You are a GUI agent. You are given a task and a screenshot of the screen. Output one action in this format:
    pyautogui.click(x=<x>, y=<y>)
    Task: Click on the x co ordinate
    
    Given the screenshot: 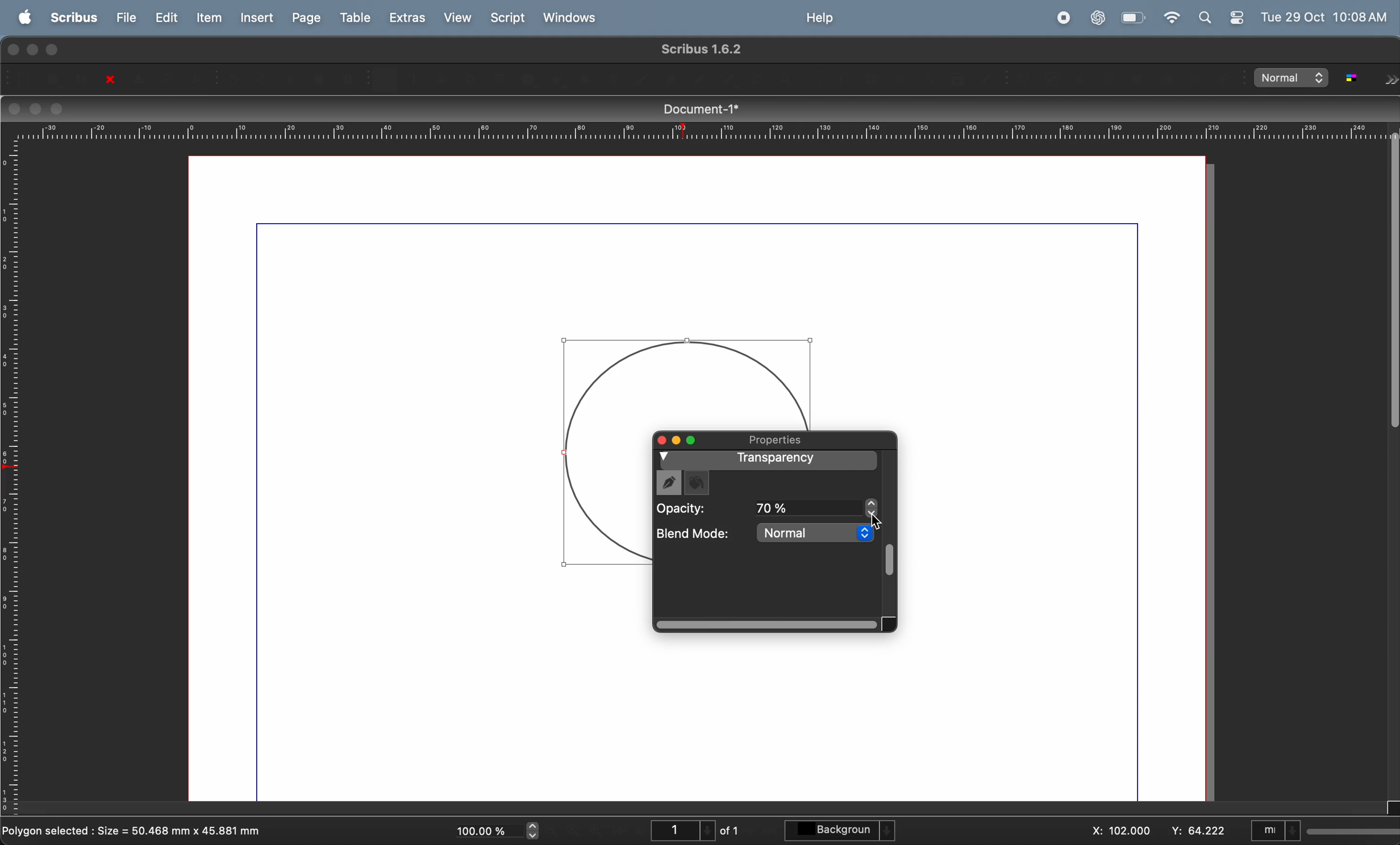 What is the action you would take?
    pyautogui.click(x=1119, y=829)
    